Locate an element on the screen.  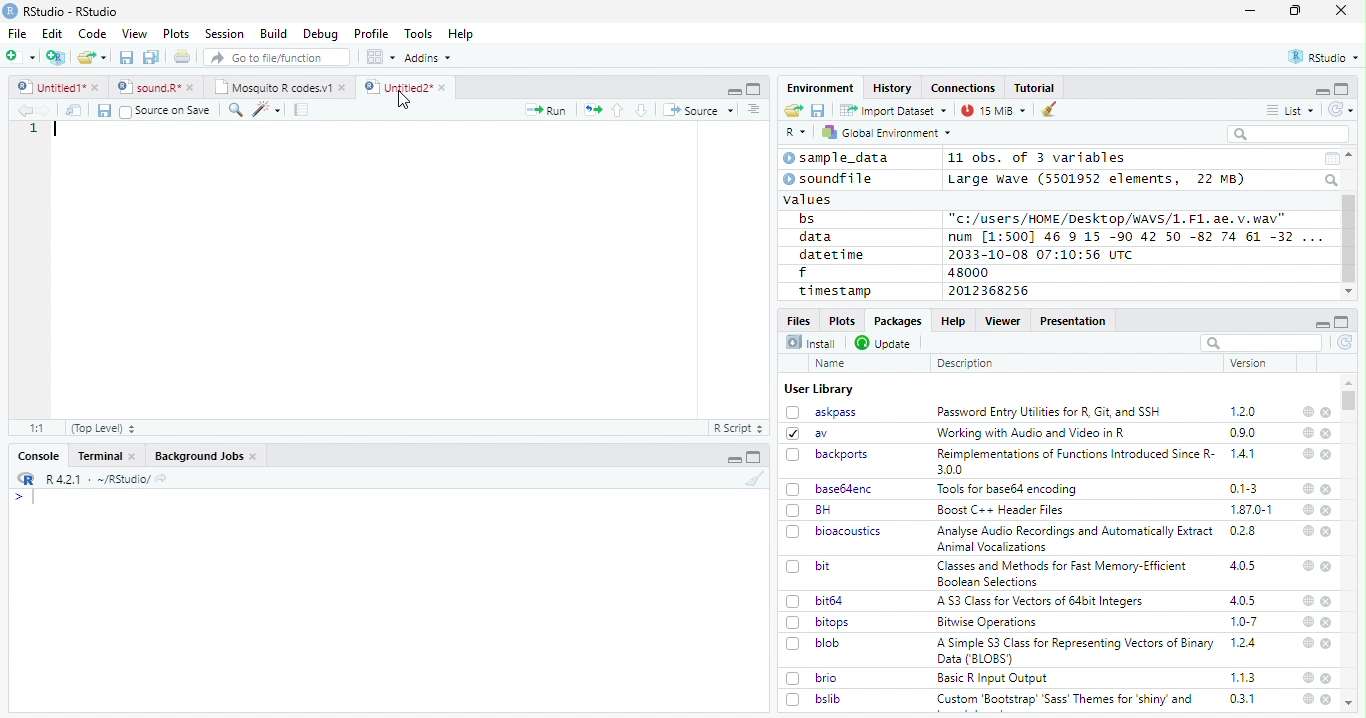
Untitled1* is located at coordinates (57, 88).